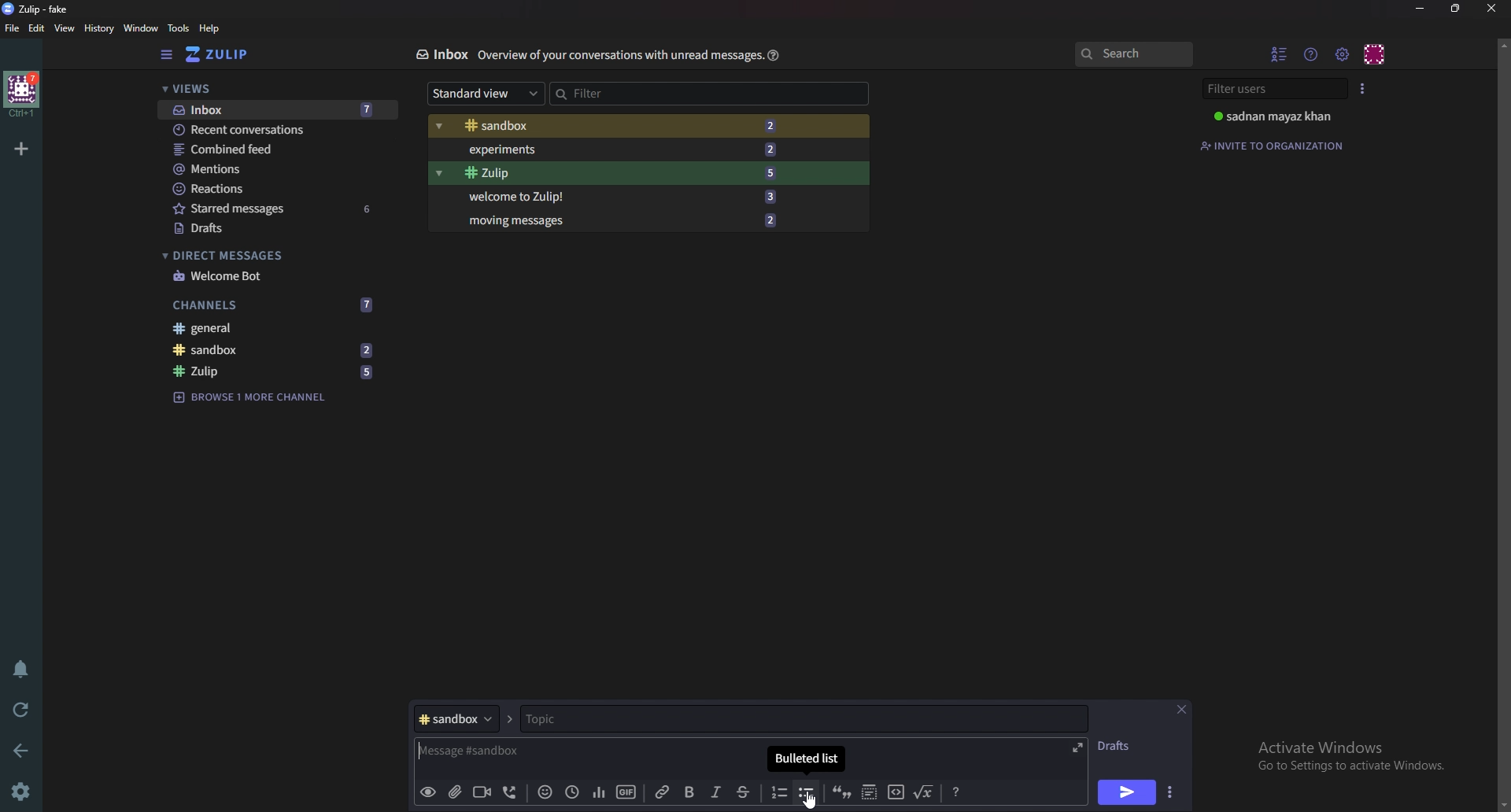  I want to click on Window, so click(143, 28).